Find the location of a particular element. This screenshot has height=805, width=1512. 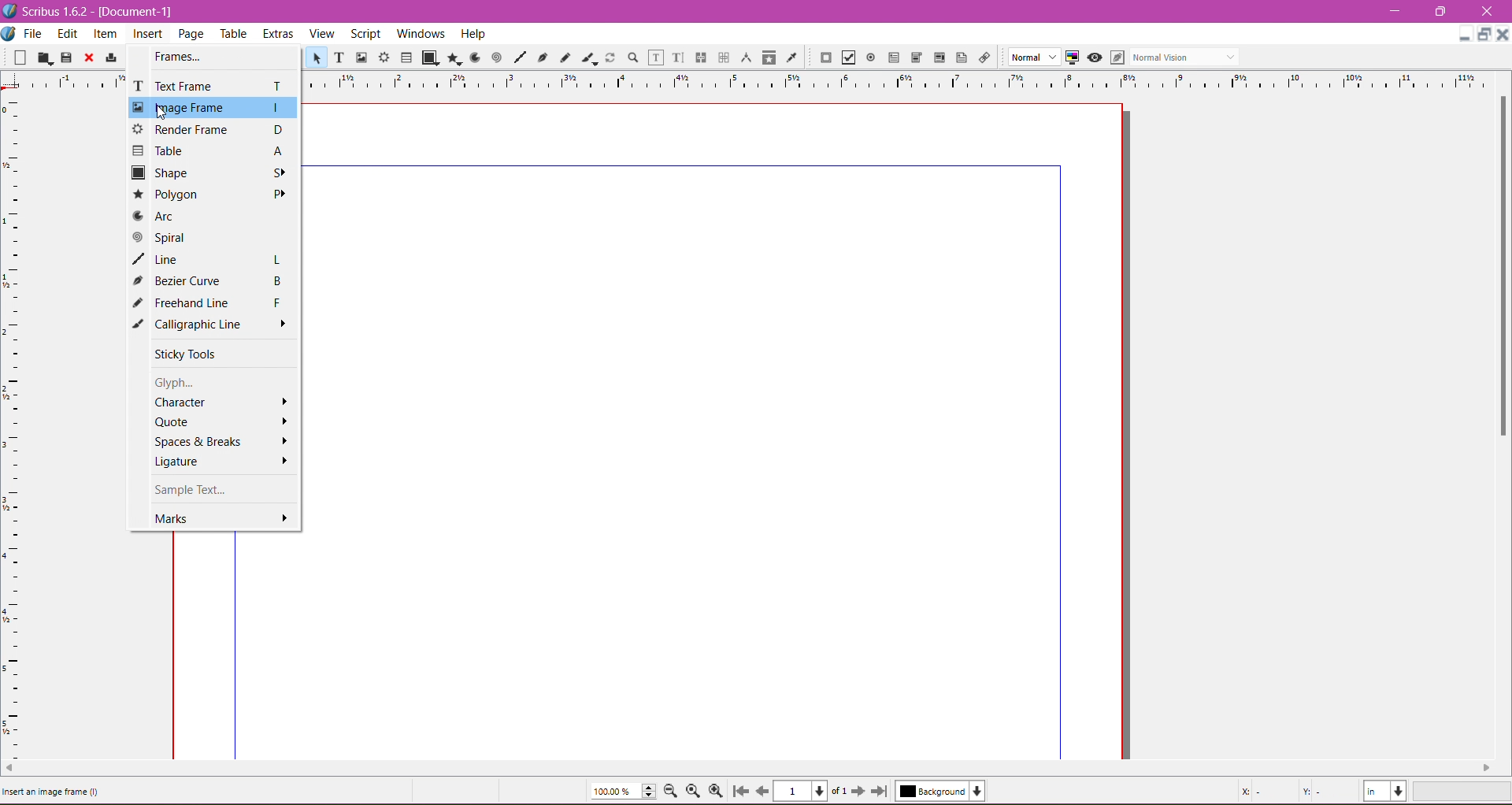

Quote is located at coordinates (221, 421).